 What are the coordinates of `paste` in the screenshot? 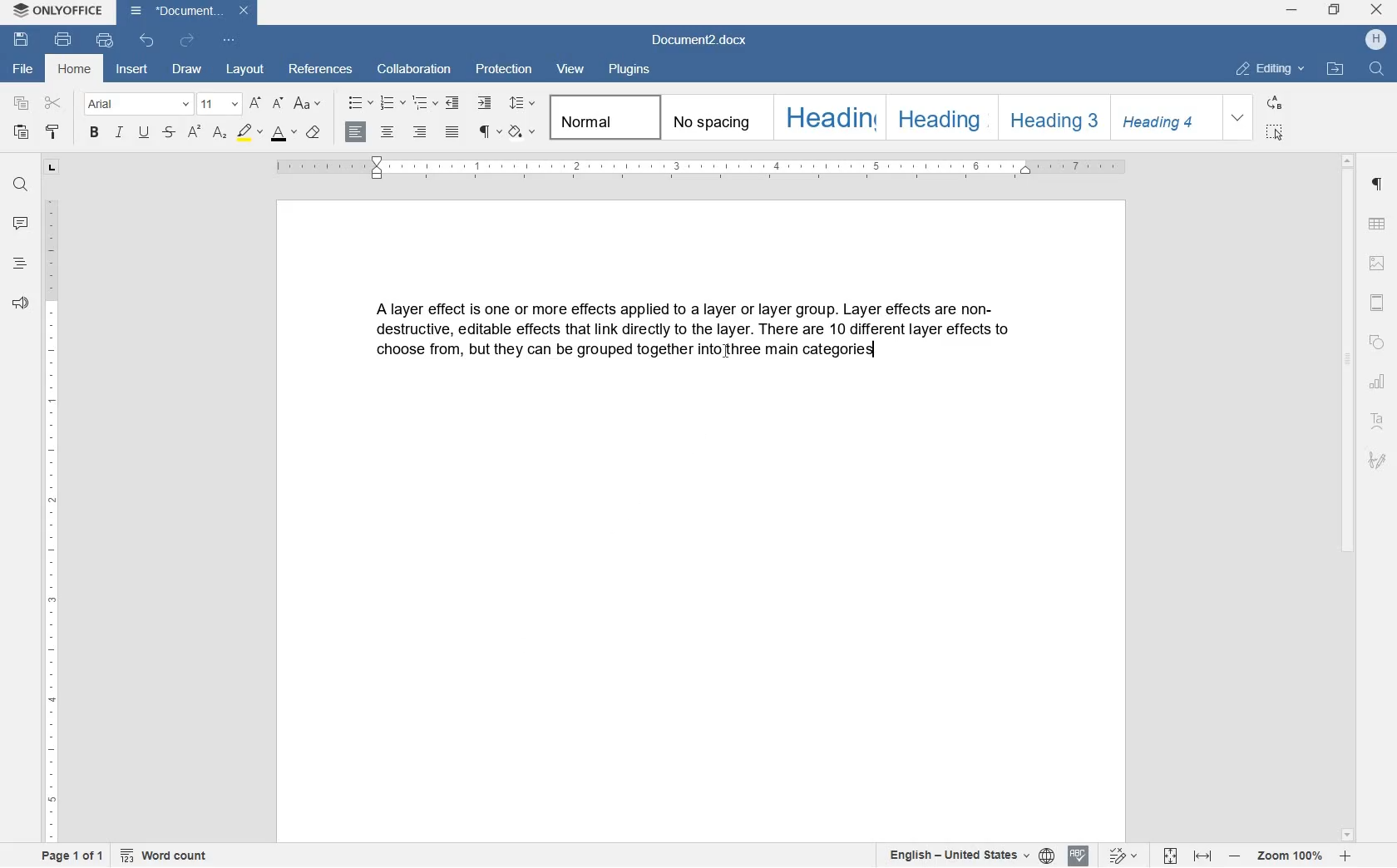 It's located at (21, 134).